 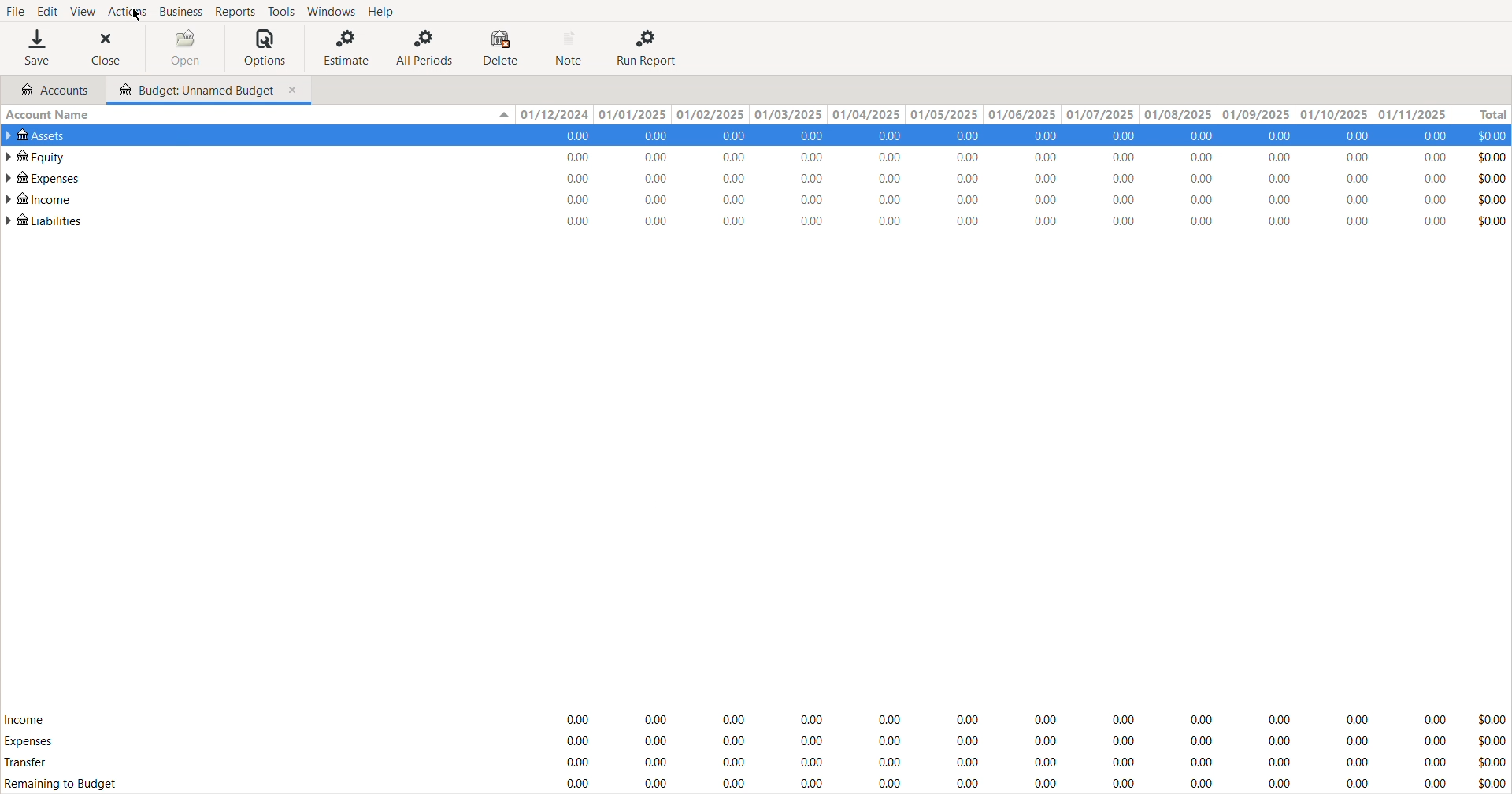 I want to click on Help, so click(x=385, y=11).